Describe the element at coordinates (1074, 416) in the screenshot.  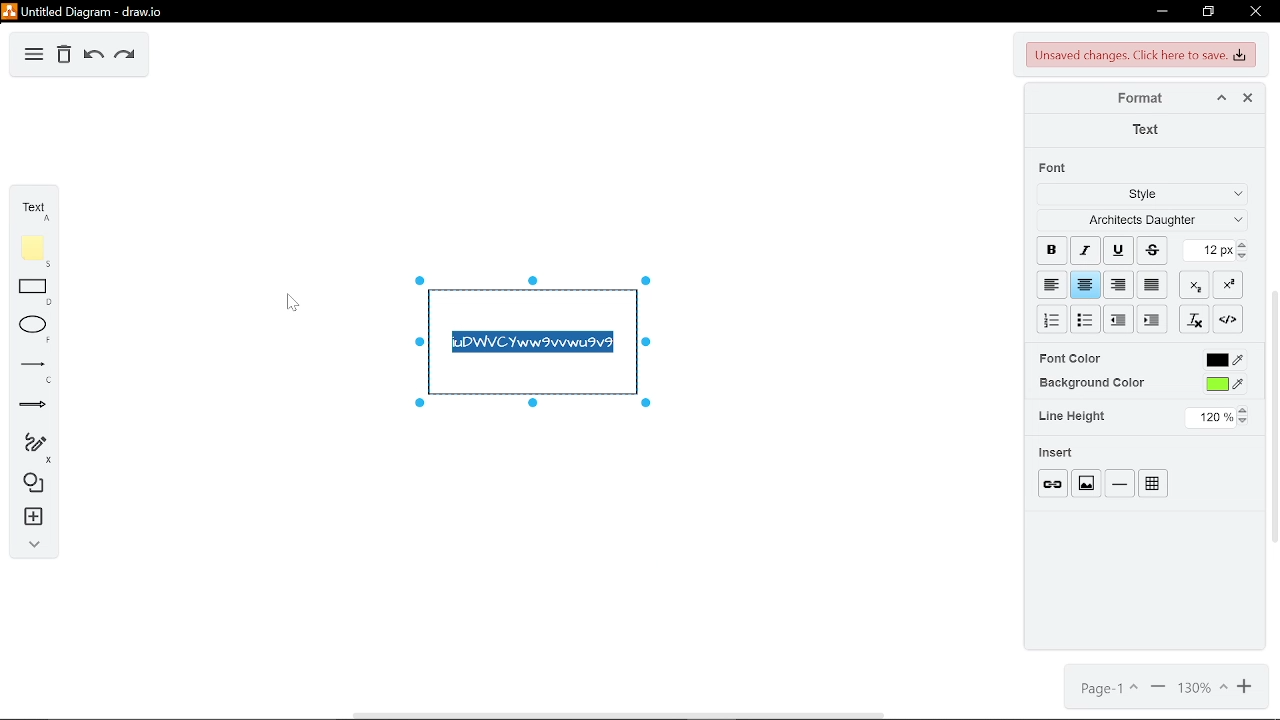
I see `line highlight` at that location.